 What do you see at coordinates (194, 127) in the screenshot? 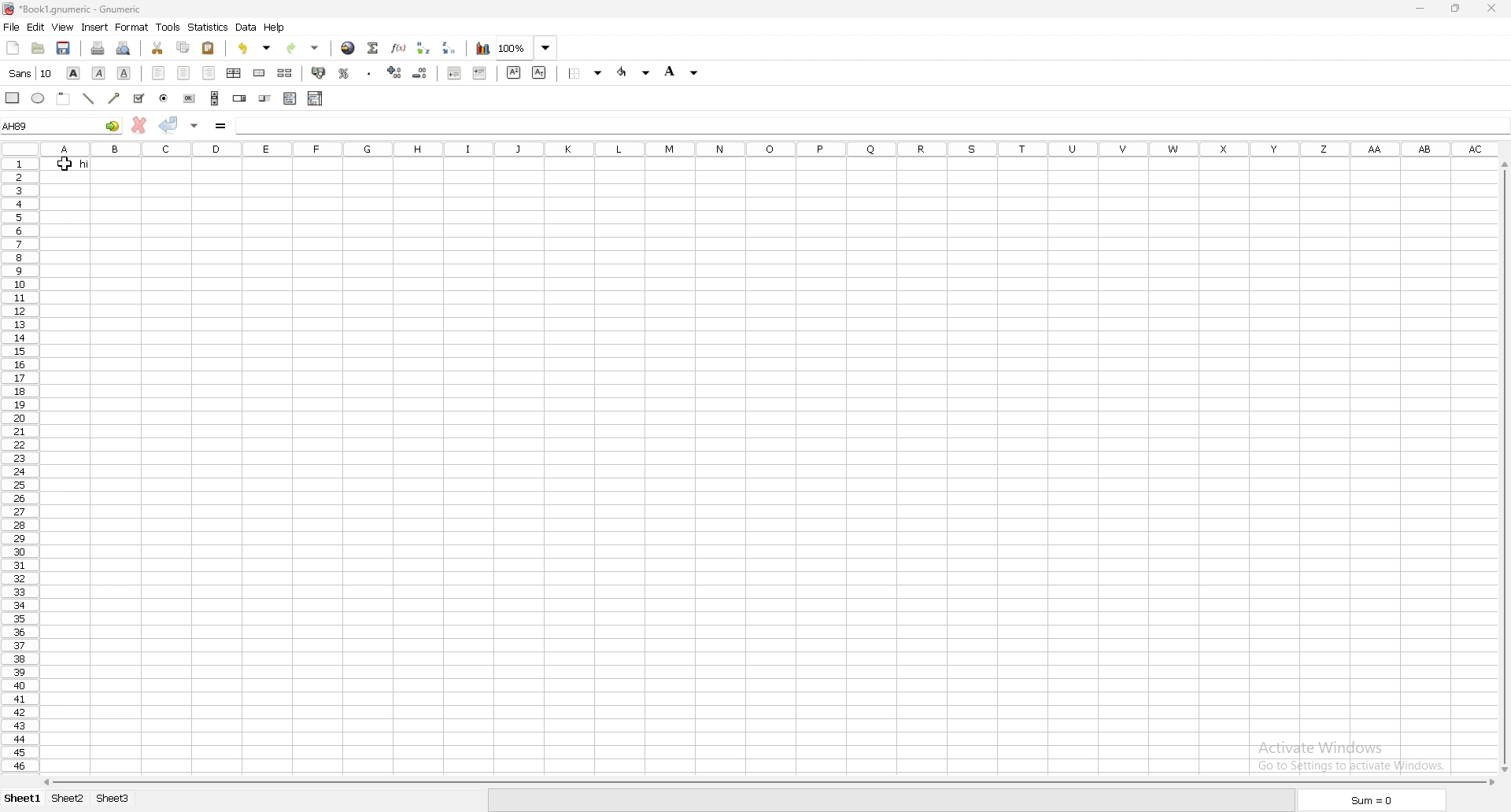
I see `accept changes in all cell` at bounding box center [194, 127].